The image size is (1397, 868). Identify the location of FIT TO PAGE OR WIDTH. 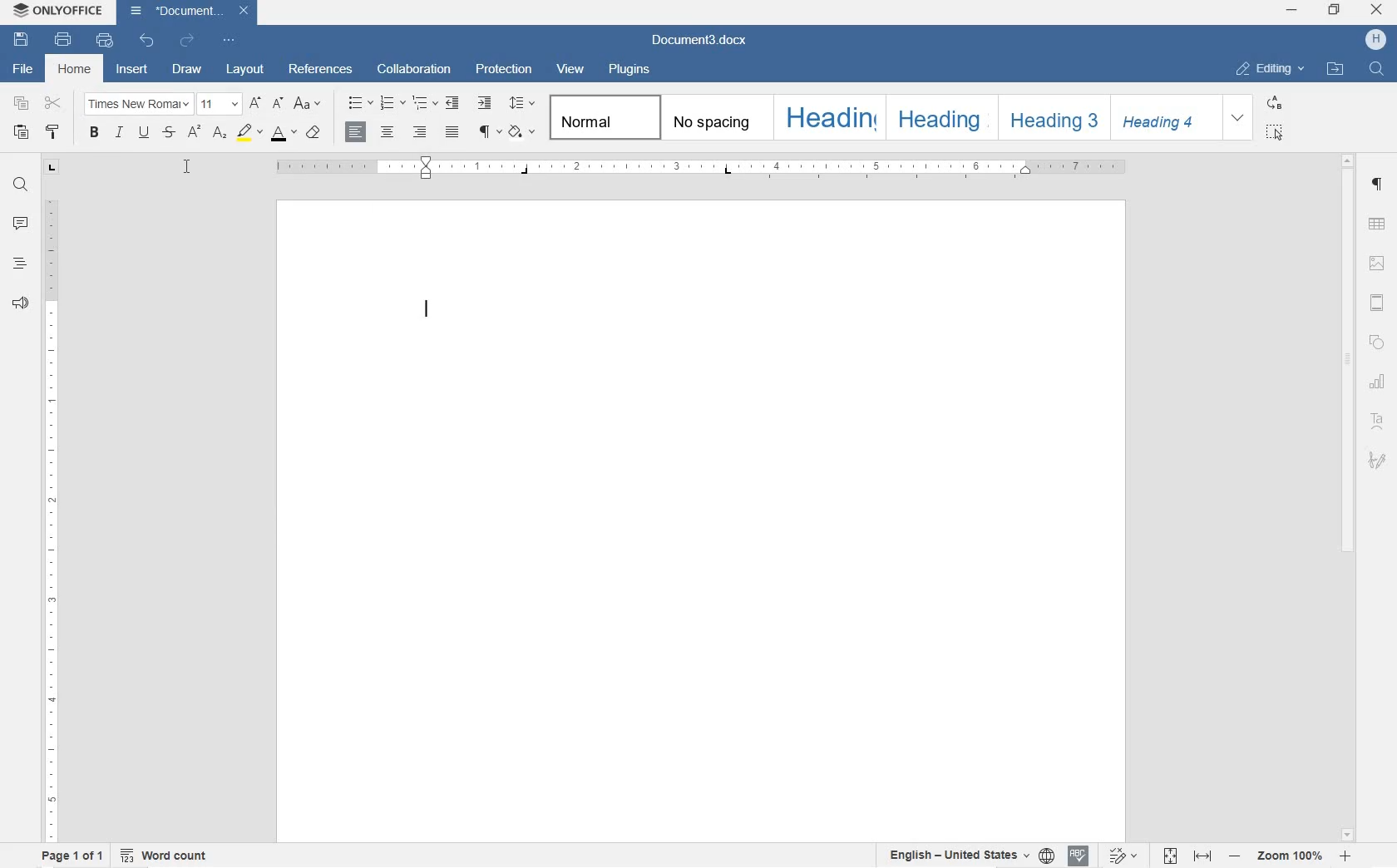
(1190, 854).